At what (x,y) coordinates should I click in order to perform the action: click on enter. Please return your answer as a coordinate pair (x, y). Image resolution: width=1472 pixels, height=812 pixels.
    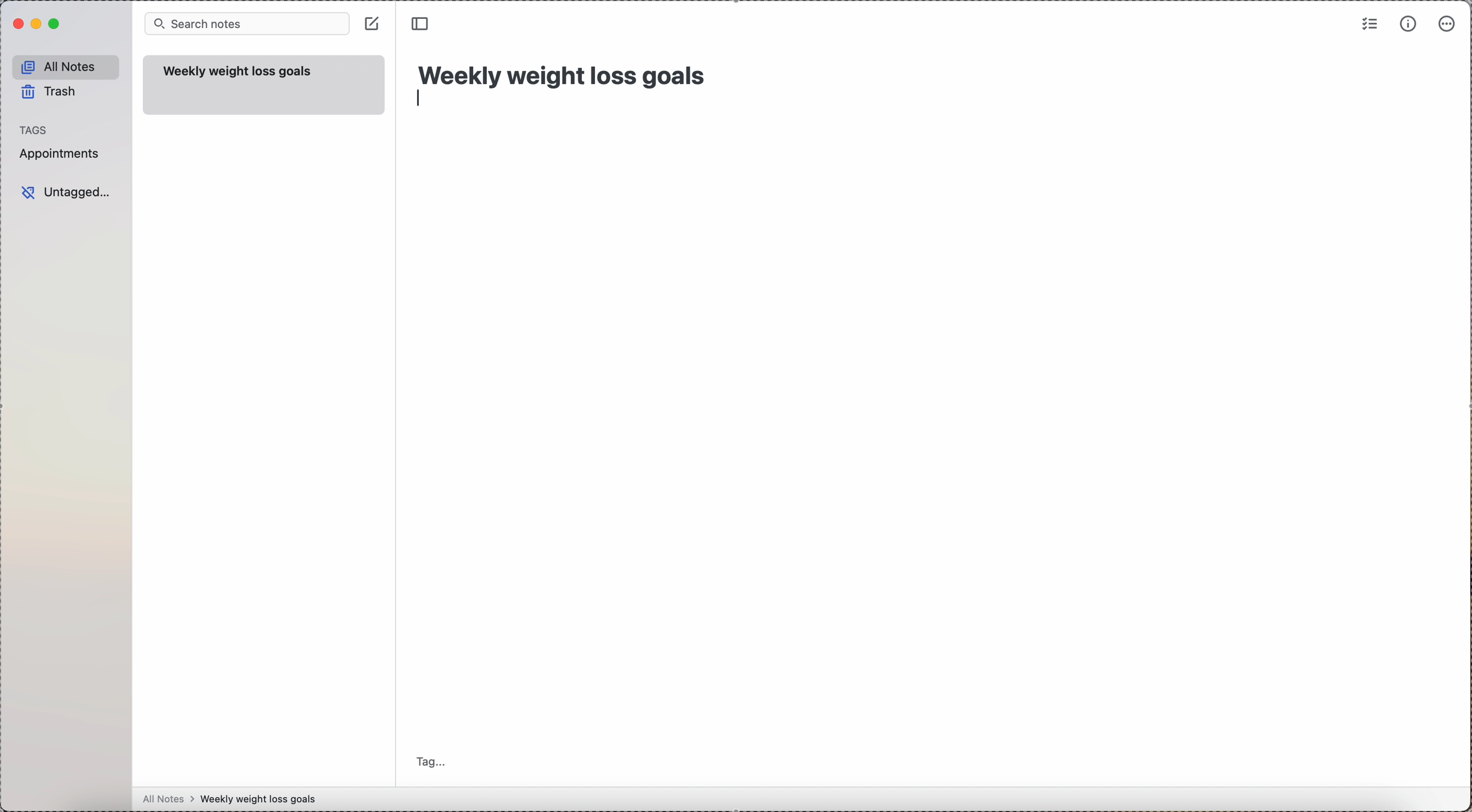
    Looking at the image, I should click on (418, 99).